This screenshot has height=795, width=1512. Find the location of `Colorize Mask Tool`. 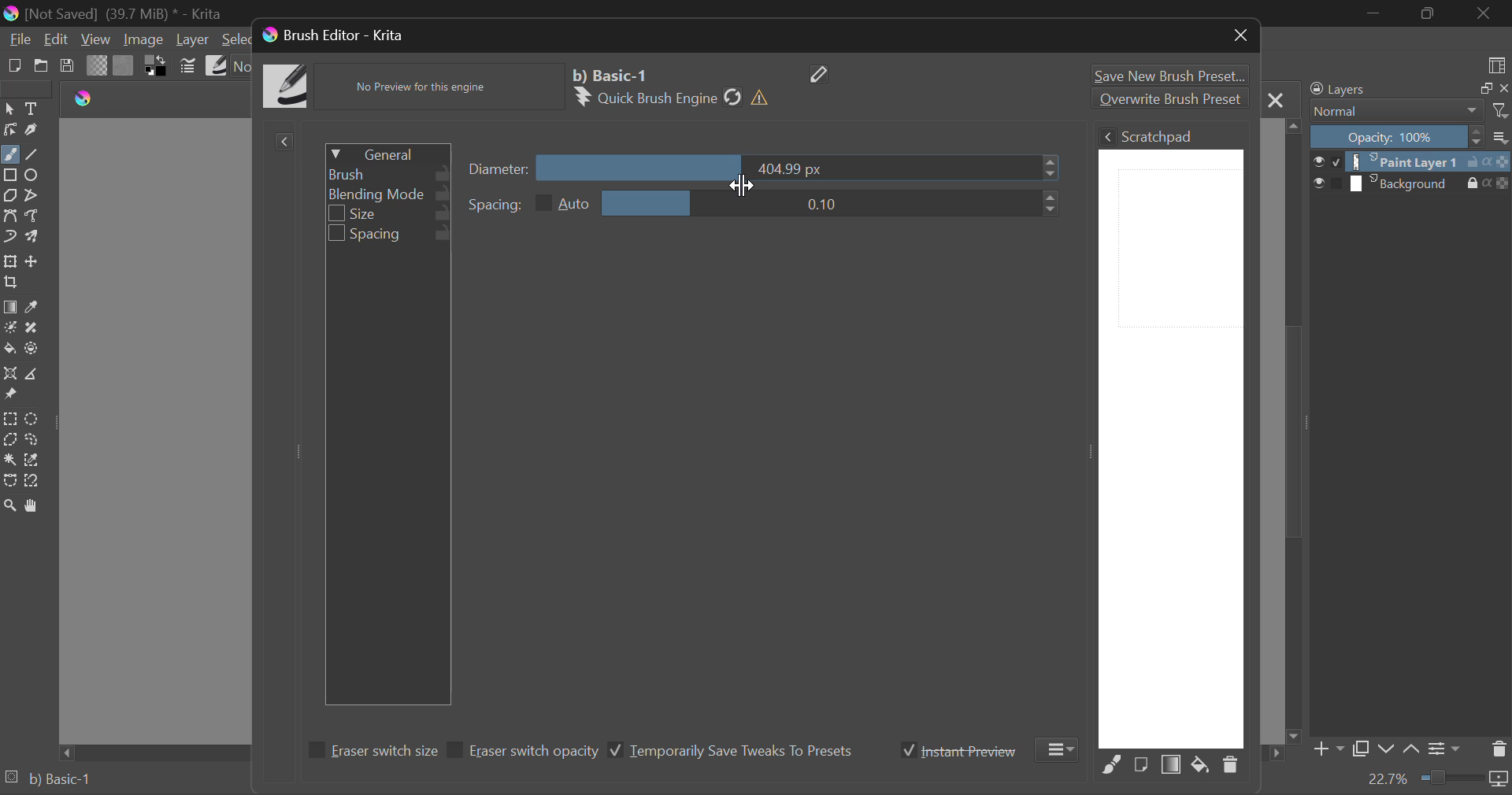

Colorize Mask Tool is located at coordinates (9, 329).